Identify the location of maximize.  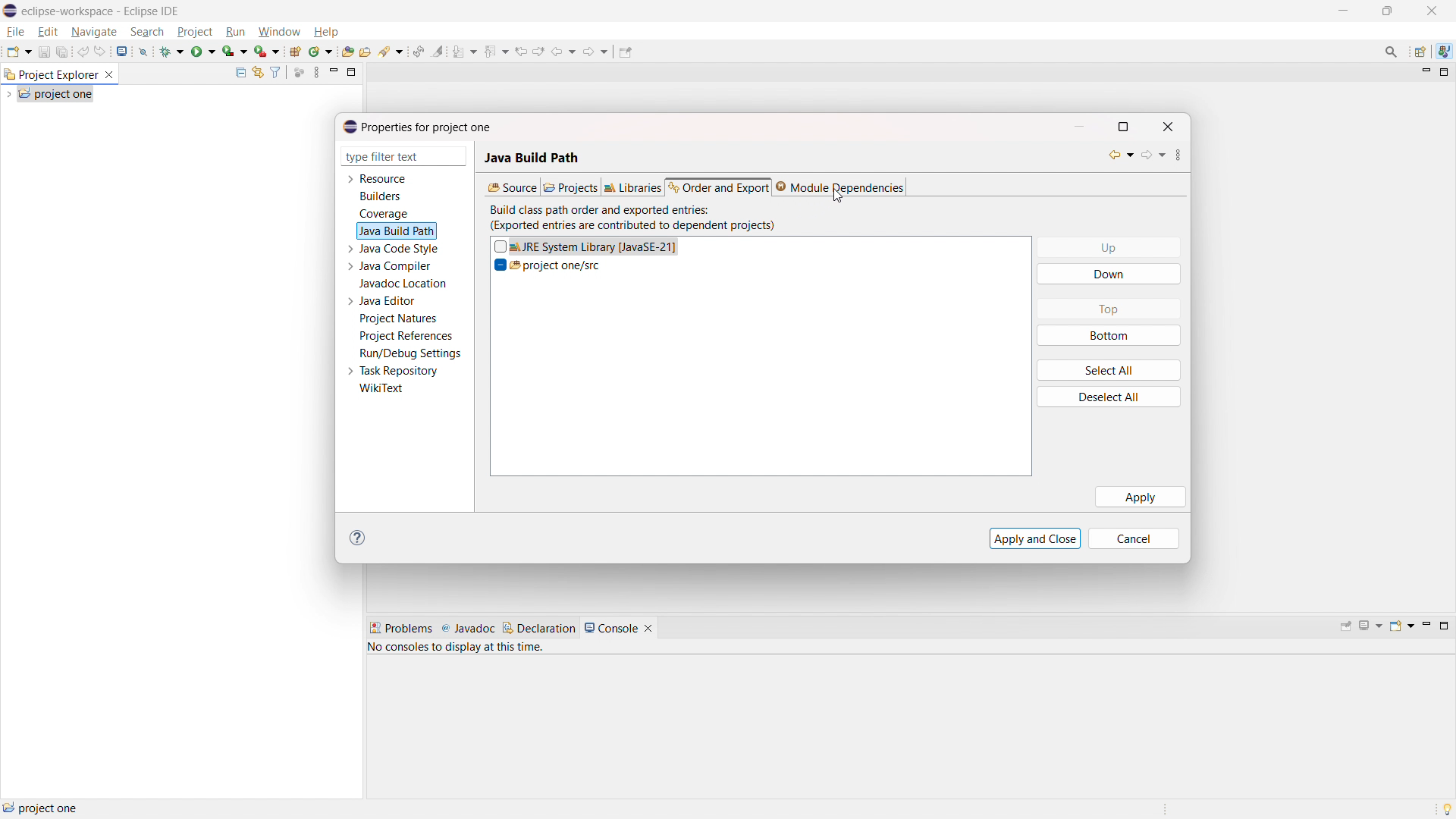
(1130, 126).